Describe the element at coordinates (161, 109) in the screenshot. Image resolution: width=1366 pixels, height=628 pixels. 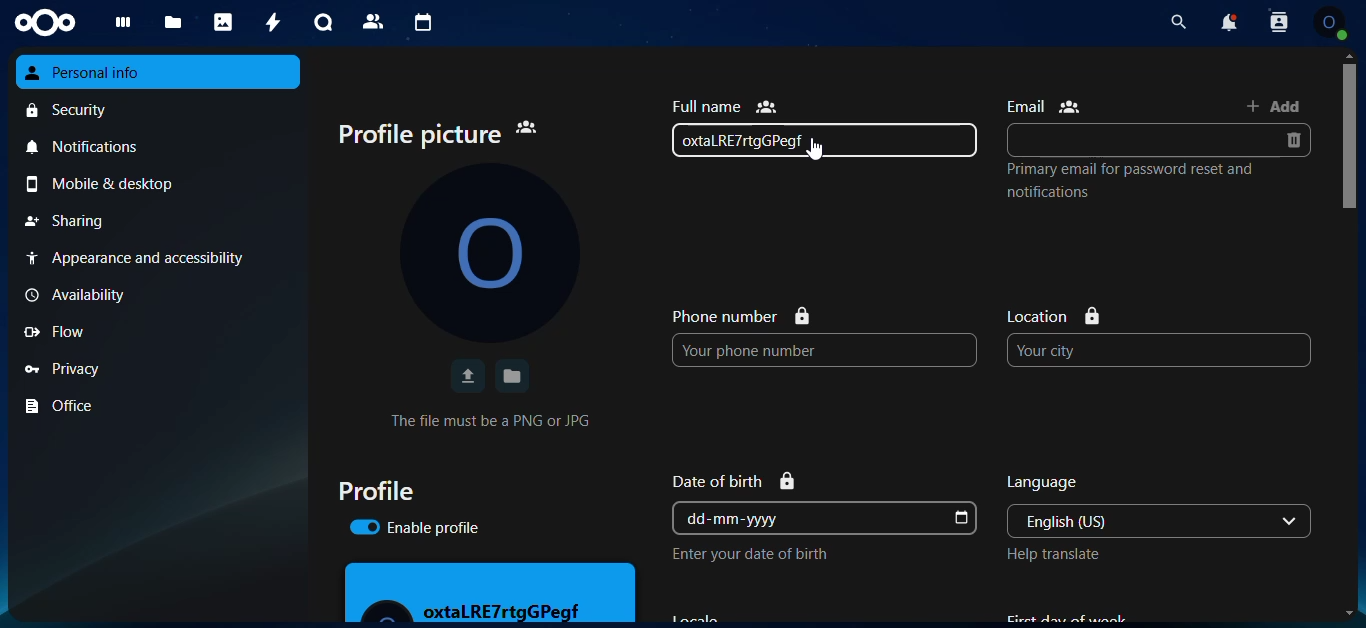
I see `security` at that location.